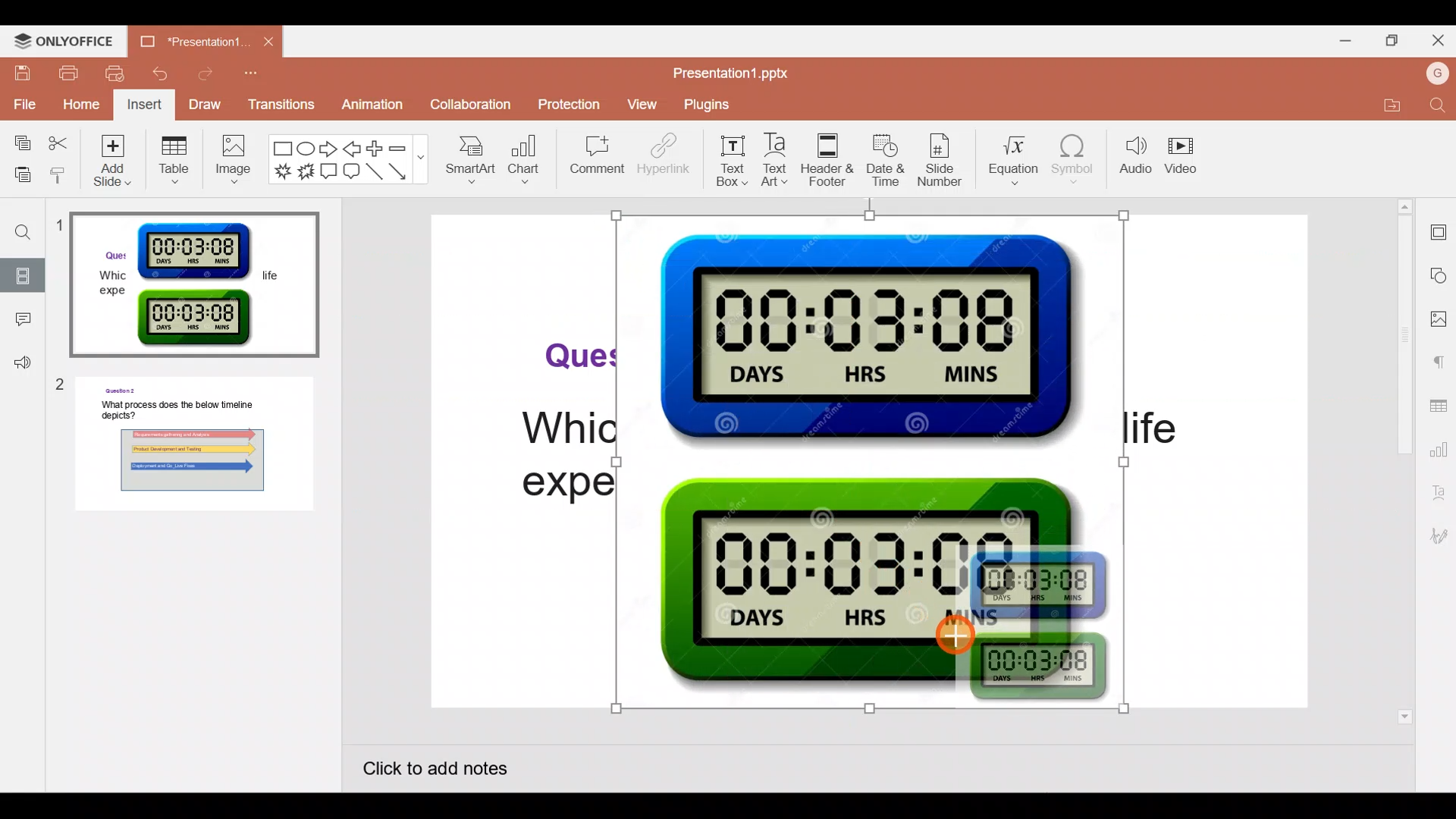  What do you see at coordinates (146, 105) in the screenshot?
I see `Insert` at bounding box center [146, 105].